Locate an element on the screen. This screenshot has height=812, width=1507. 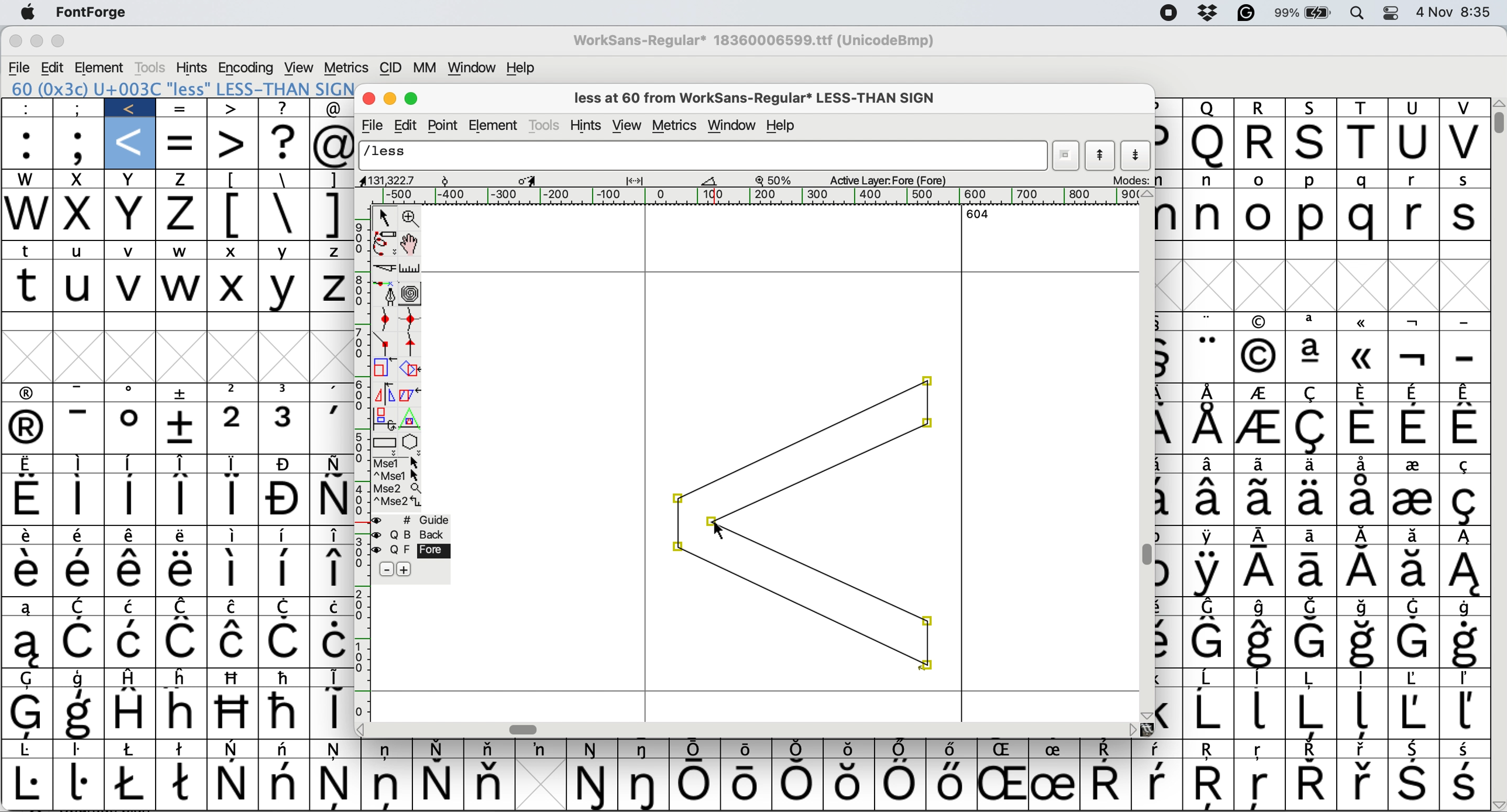
show next letter is located at coordinates (1138, 156).